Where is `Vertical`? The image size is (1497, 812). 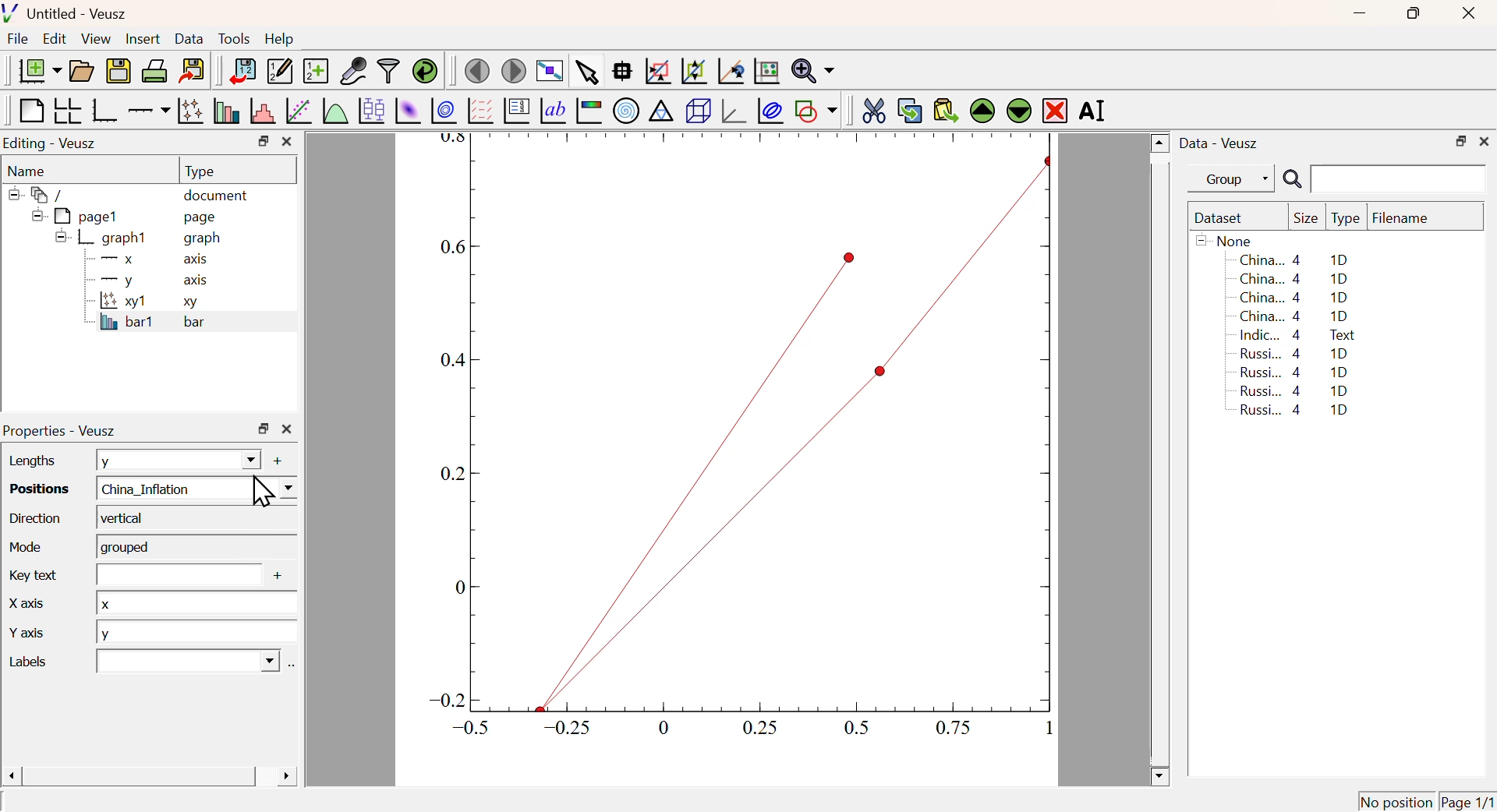
Vertical is located at coordinates (190, 518).